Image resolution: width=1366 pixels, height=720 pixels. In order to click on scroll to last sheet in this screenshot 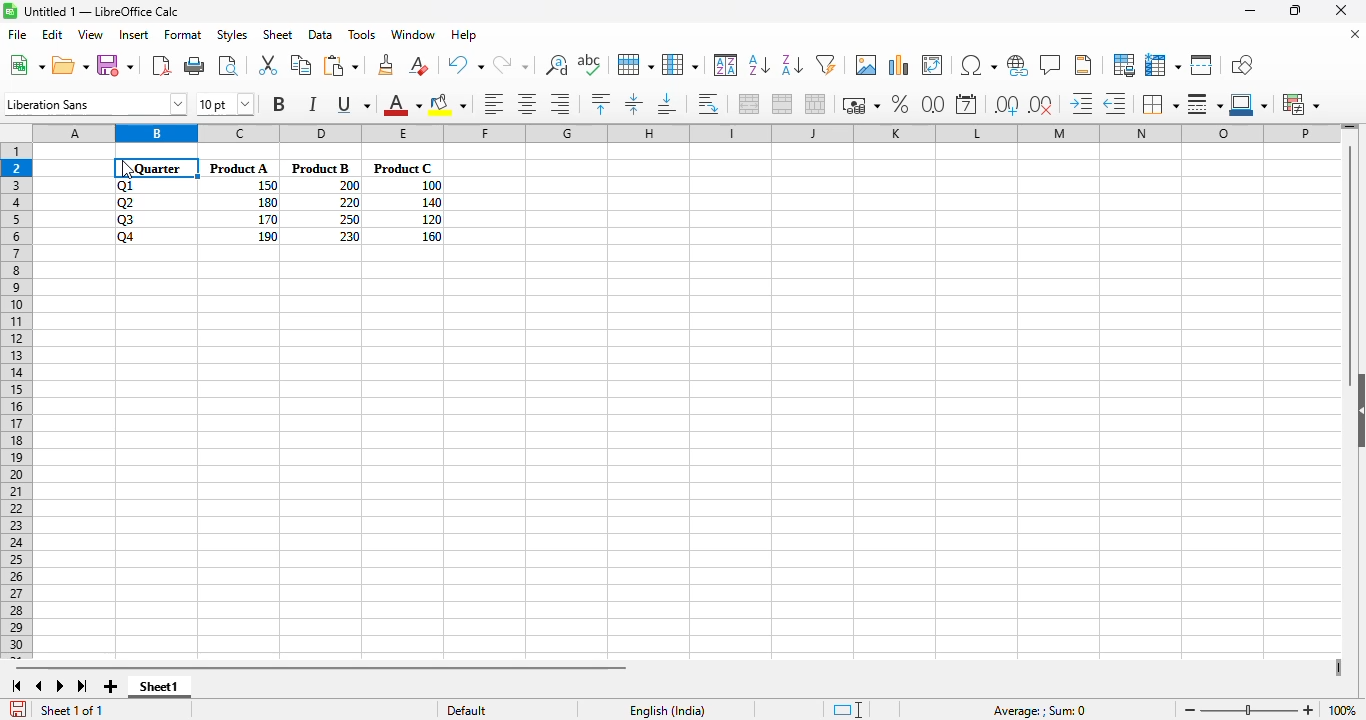, I will do `click(83, 687)`.